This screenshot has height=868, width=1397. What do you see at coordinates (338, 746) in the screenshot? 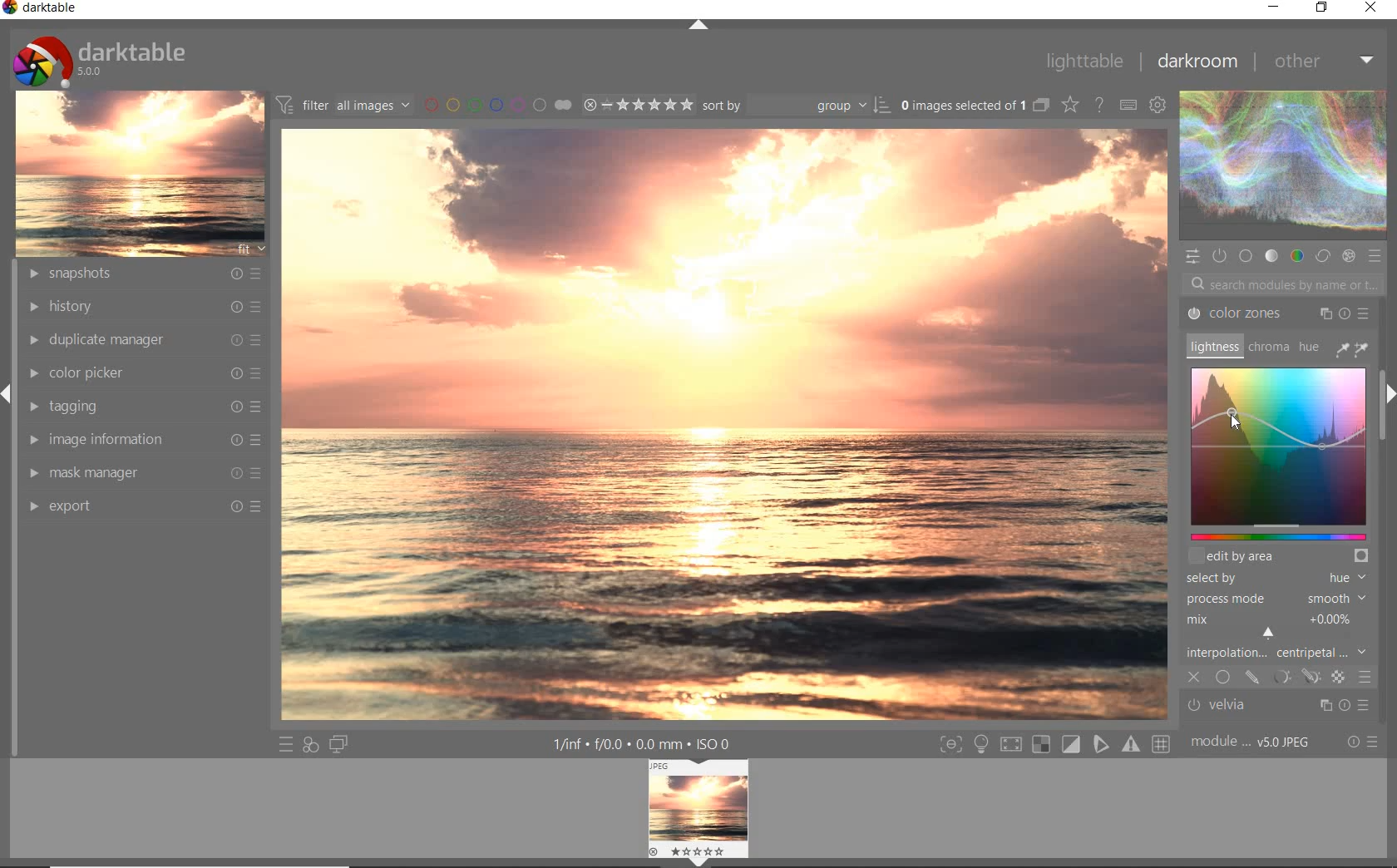
I see `DISPLAY A SECOND DARKROOM IMAGE WINDOW` at bounding box center [338, 746].